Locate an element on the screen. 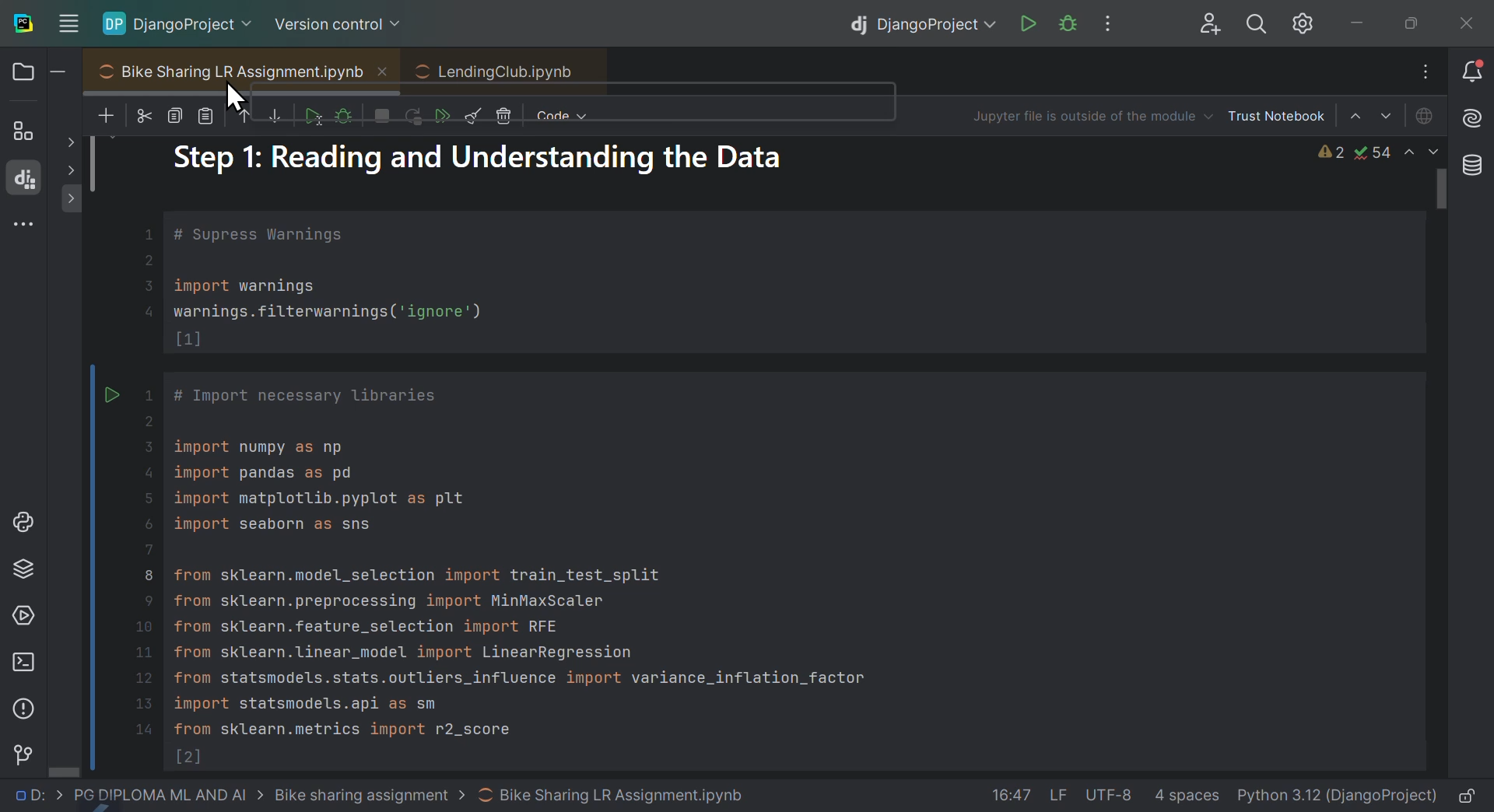 This screenshot has width=1494, height=812. New files is located at coordinates (105, 115).